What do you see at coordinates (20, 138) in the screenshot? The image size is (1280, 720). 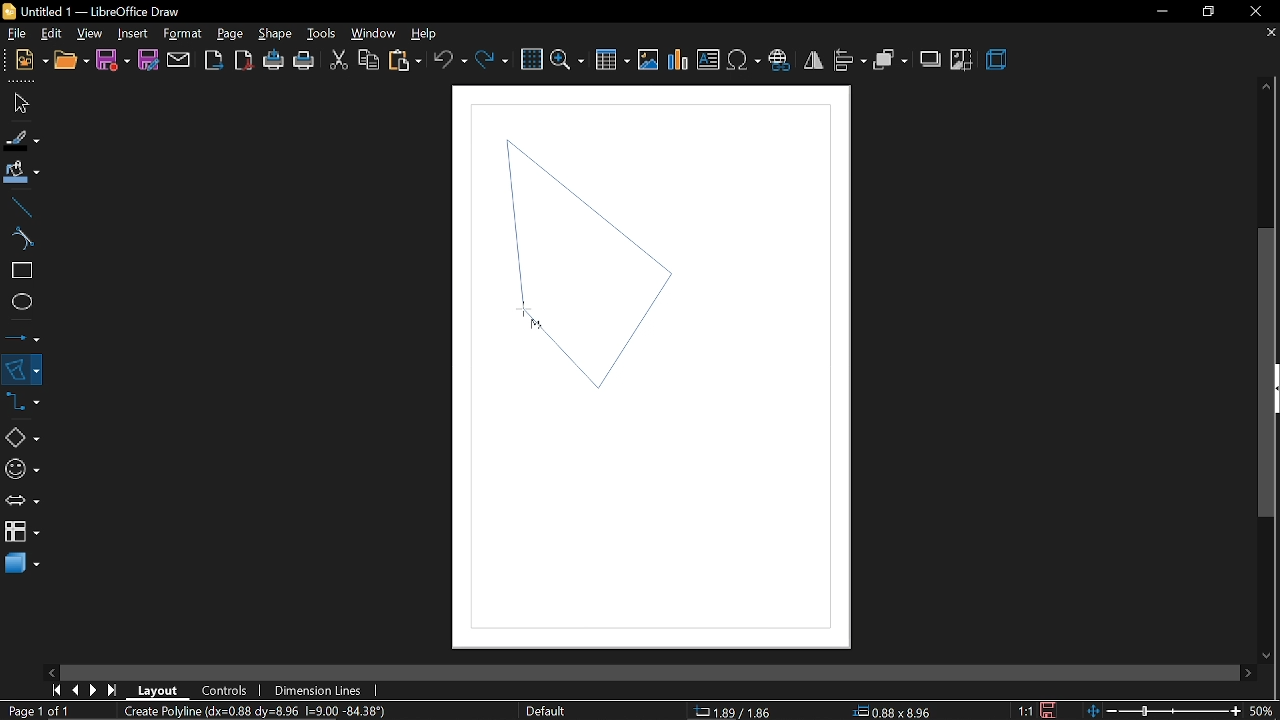 I see `fill line` at bounding box center [20, 138].